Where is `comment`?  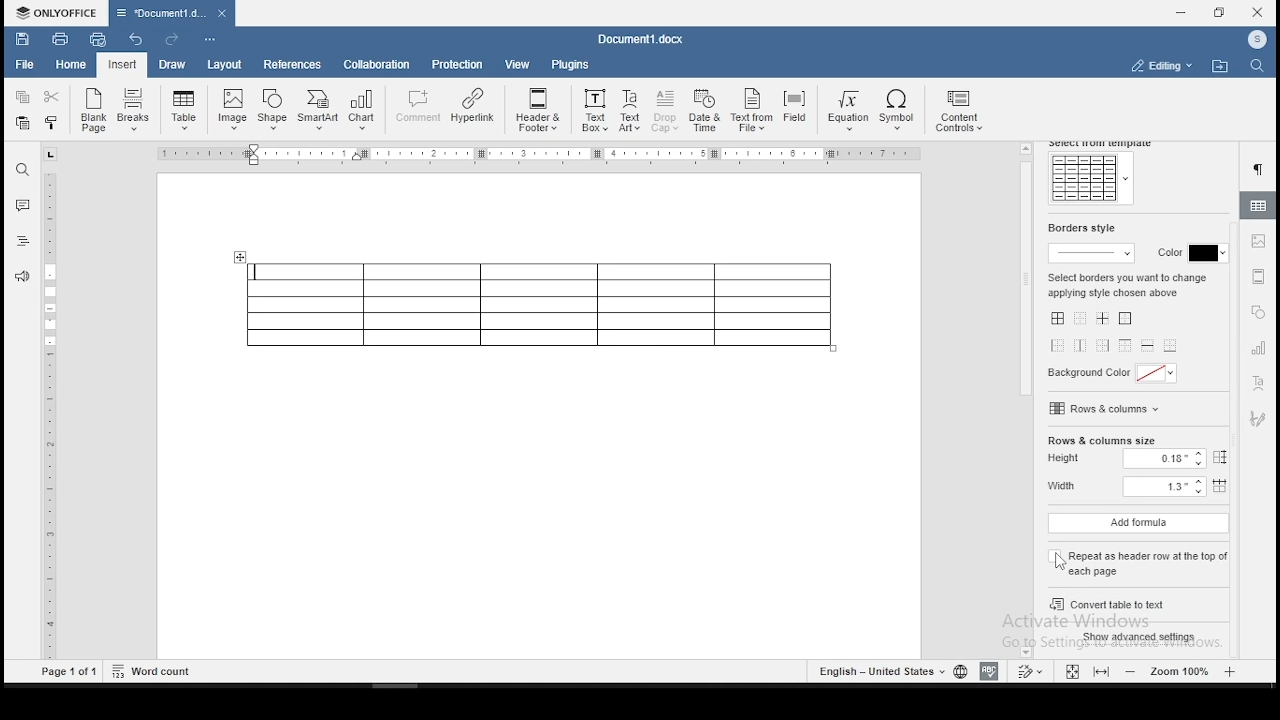
comment is located at coordinates (416, 106).